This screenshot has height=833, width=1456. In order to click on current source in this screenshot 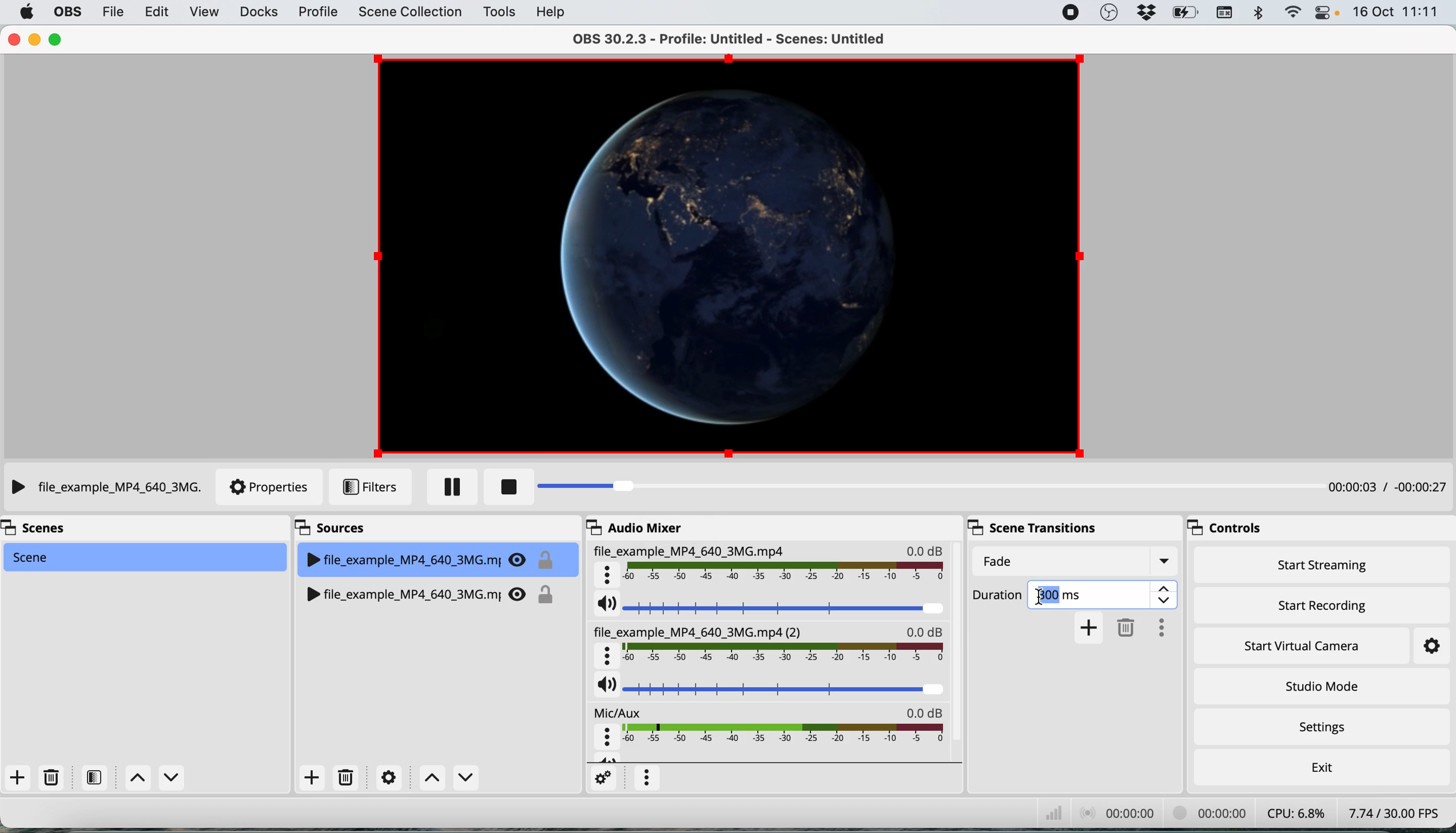, I will do `click(104, 487)`.